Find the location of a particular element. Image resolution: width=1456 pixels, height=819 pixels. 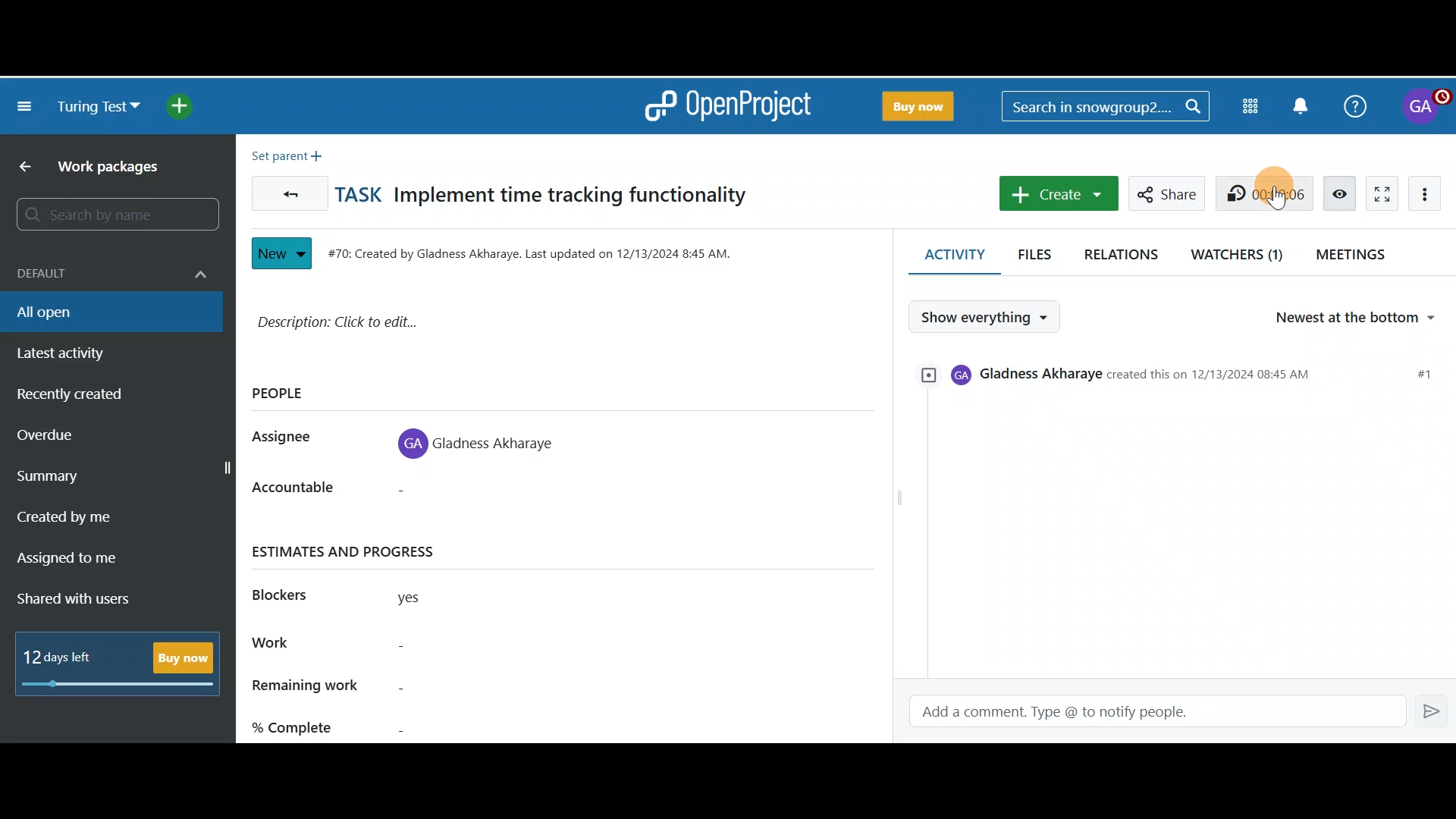

Activity is located at coordinates (945, 254).